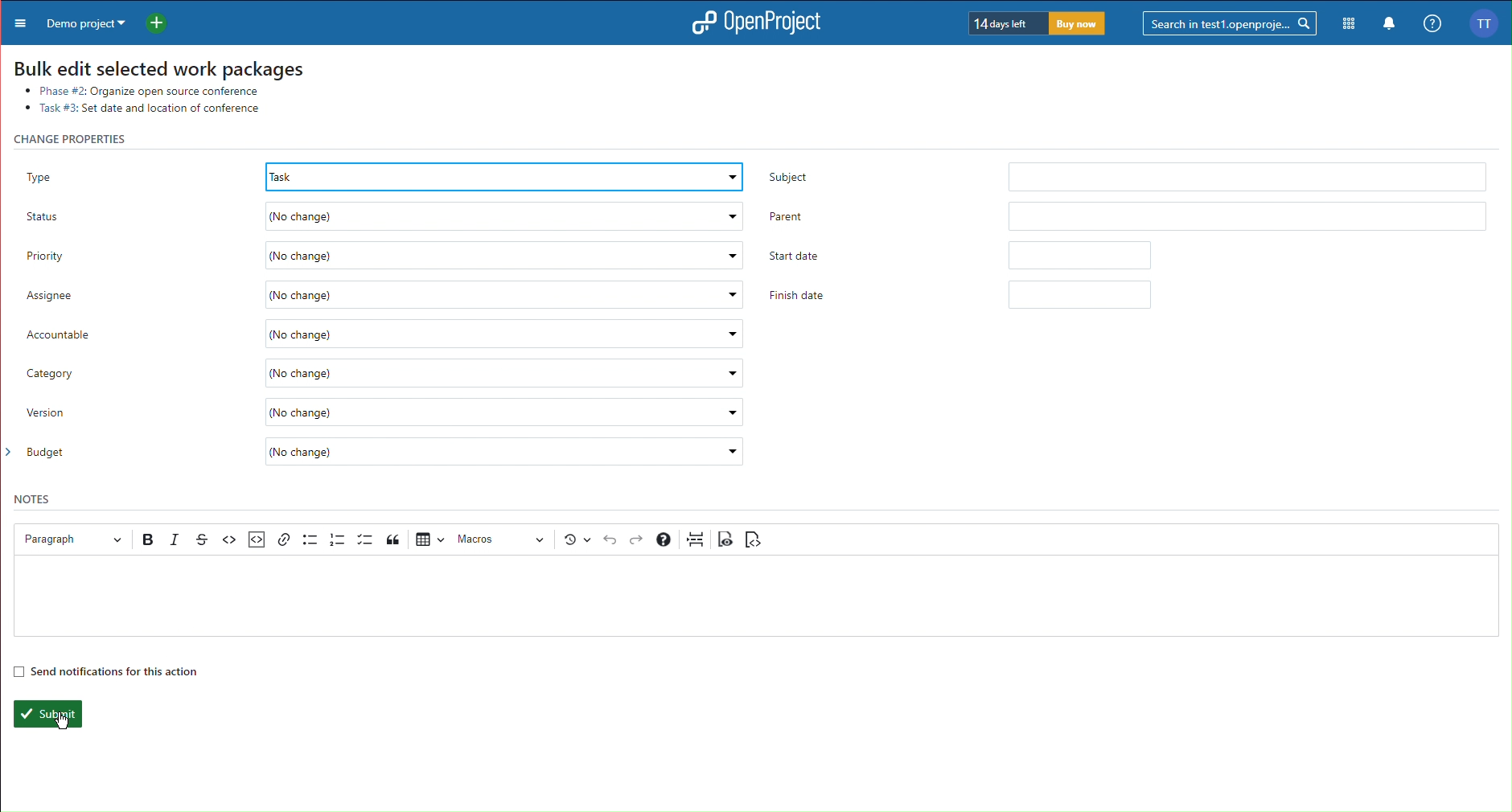  I want to click on Page View, so click(726, 539).